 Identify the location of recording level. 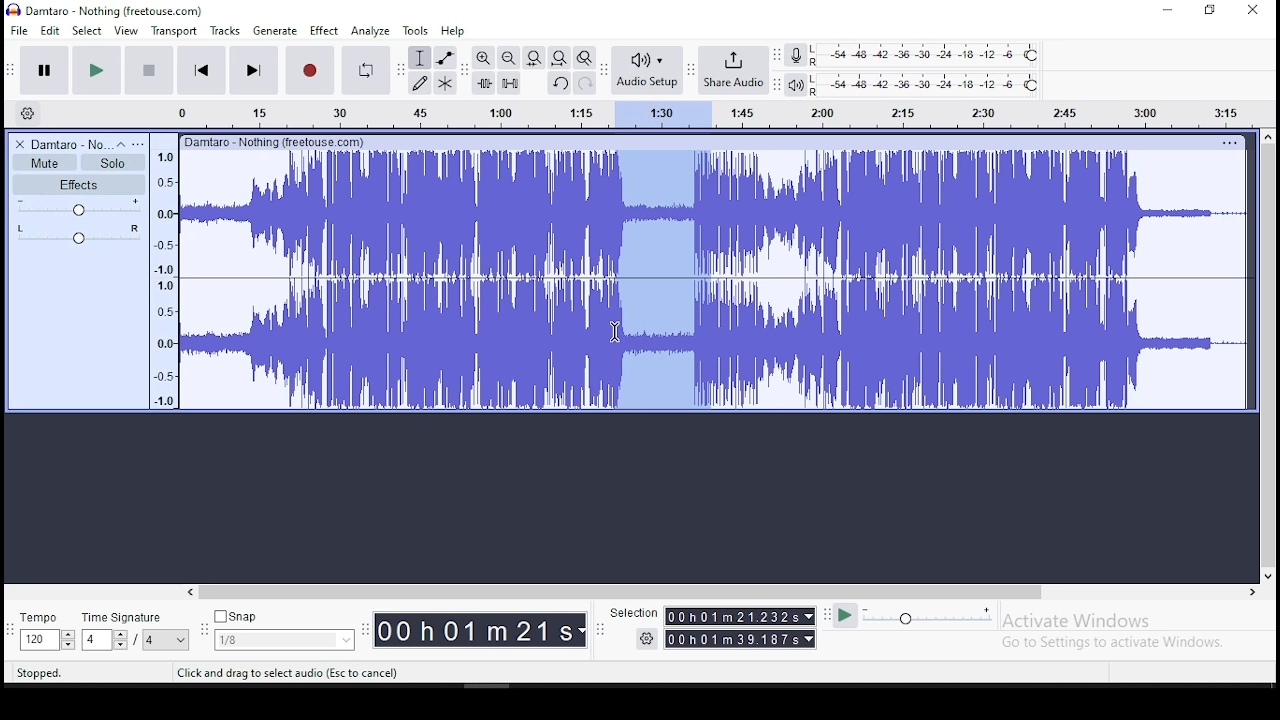
(927, 54).